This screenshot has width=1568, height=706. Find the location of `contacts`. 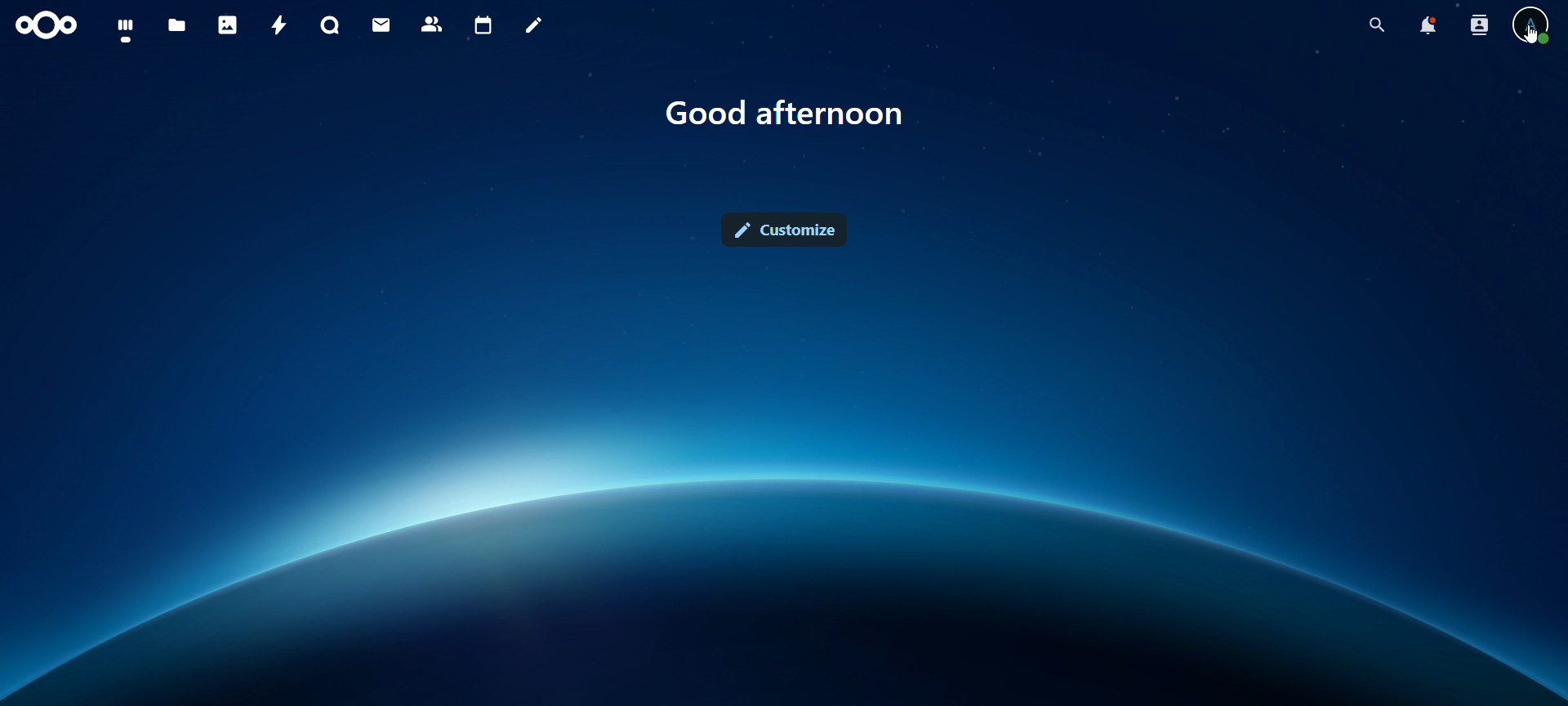

contacts is located at coordinates (432, 26).